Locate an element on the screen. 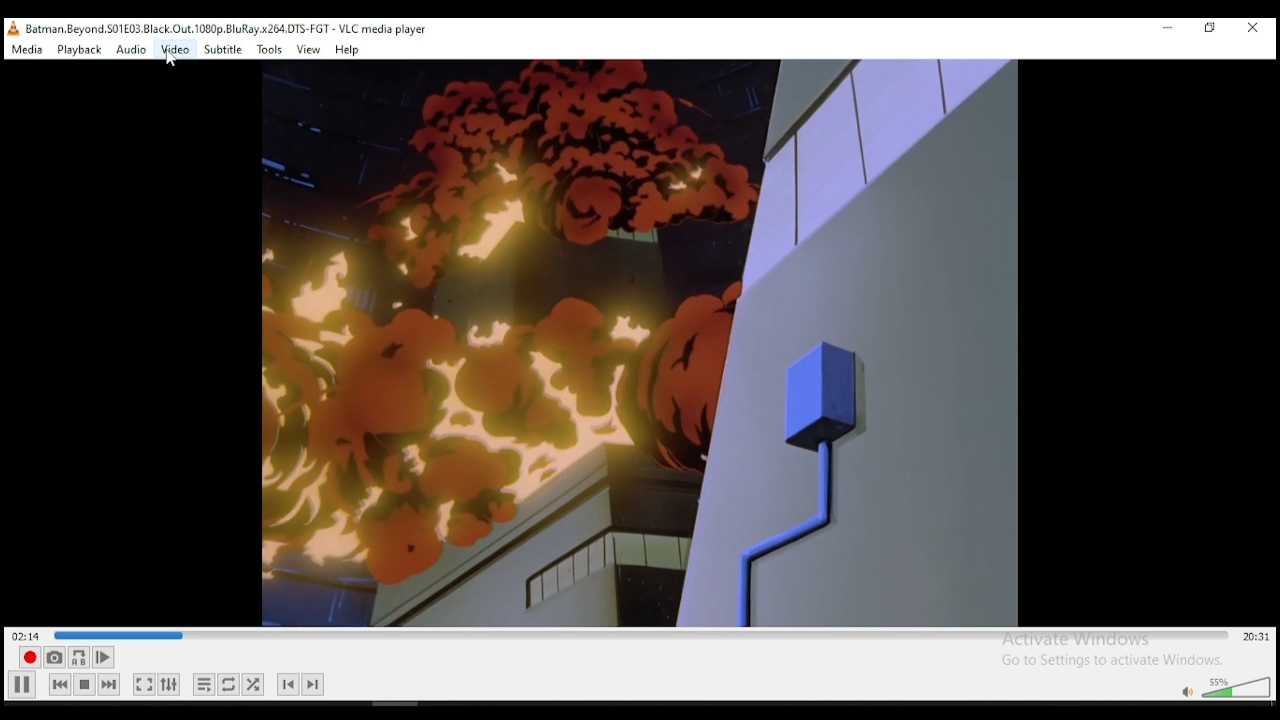  tools is located at coordinates (270, 51).